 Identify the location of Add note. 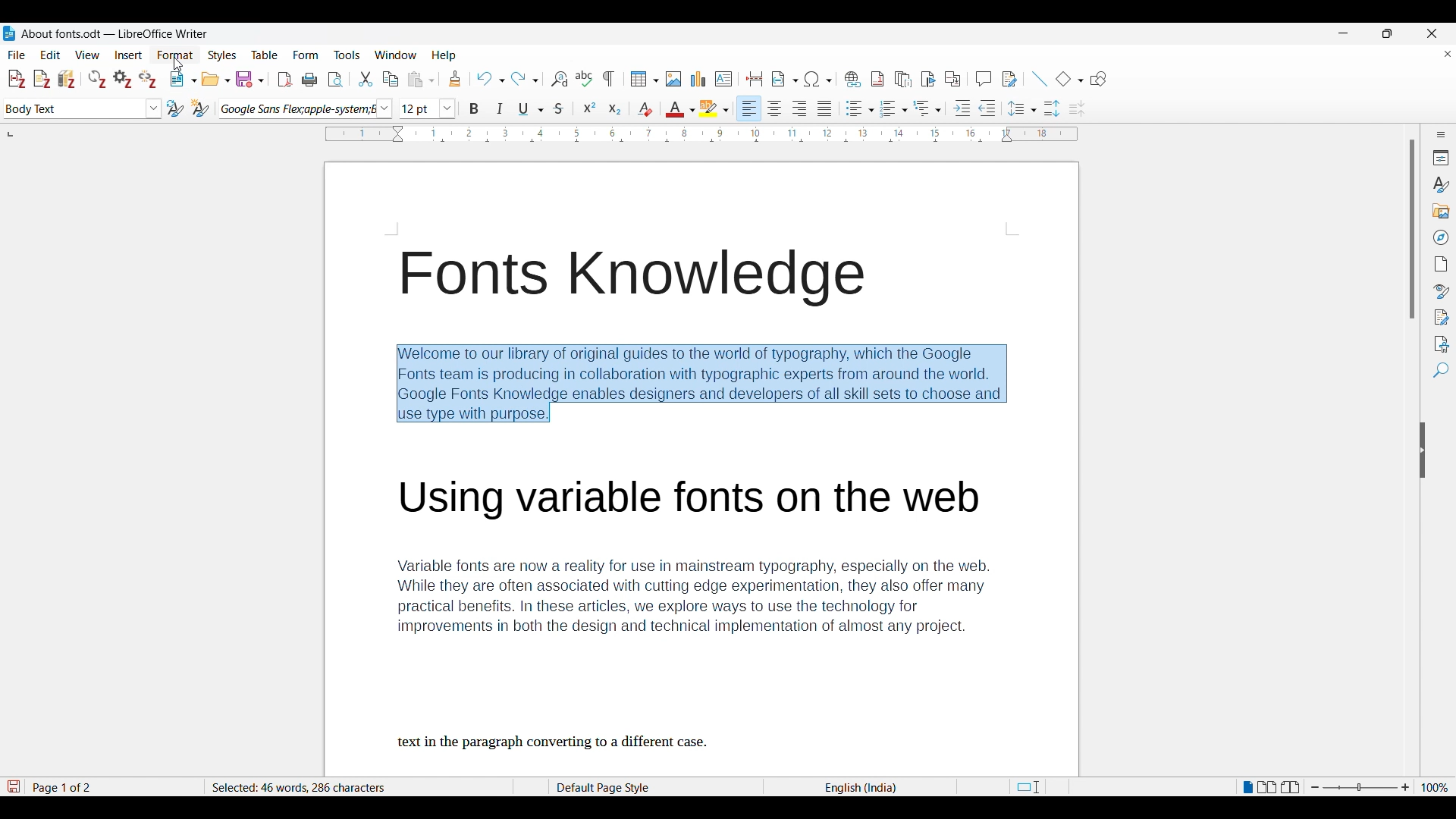
(42, 80).